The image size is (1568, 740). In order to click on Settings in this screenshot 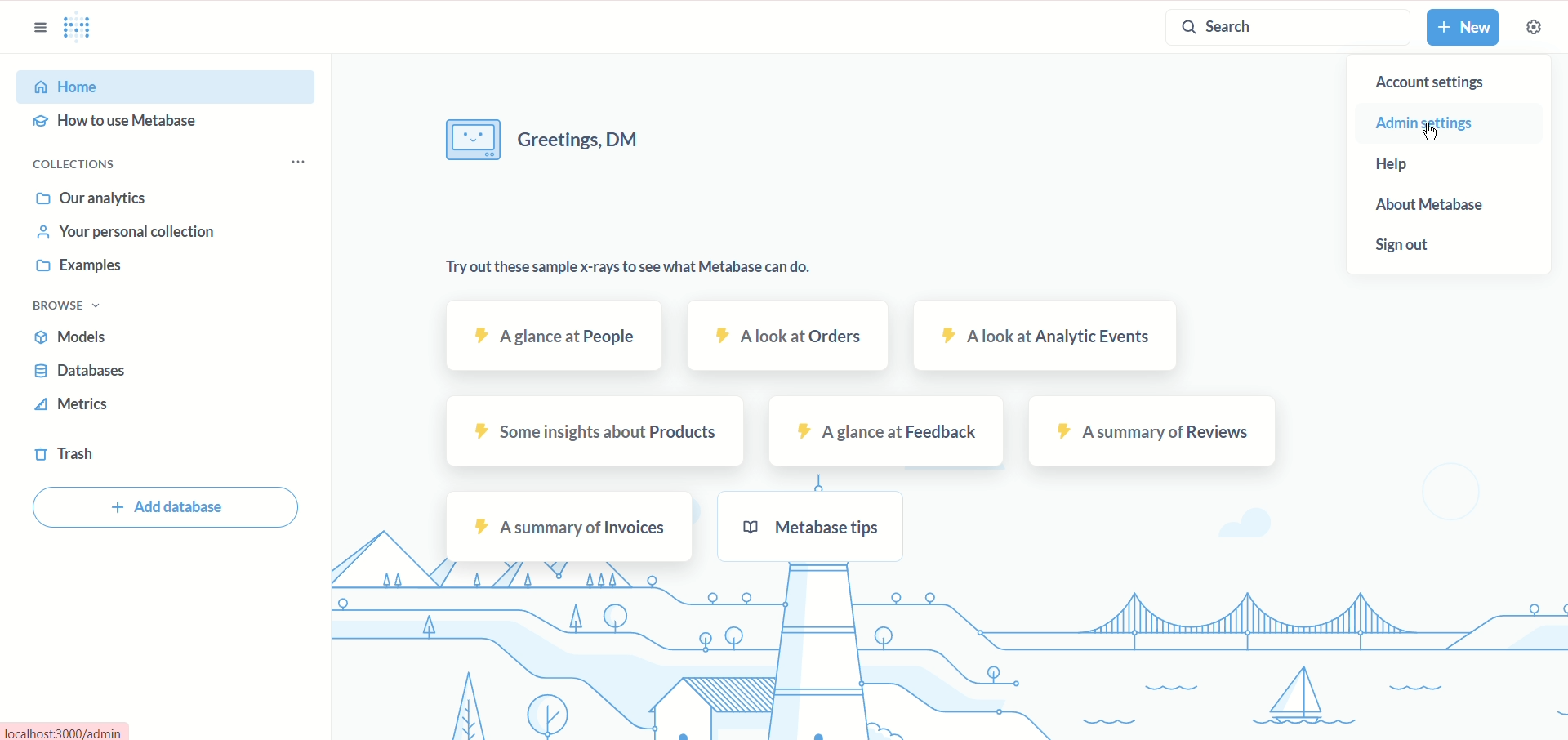, I will do `click(1533, 27)`.